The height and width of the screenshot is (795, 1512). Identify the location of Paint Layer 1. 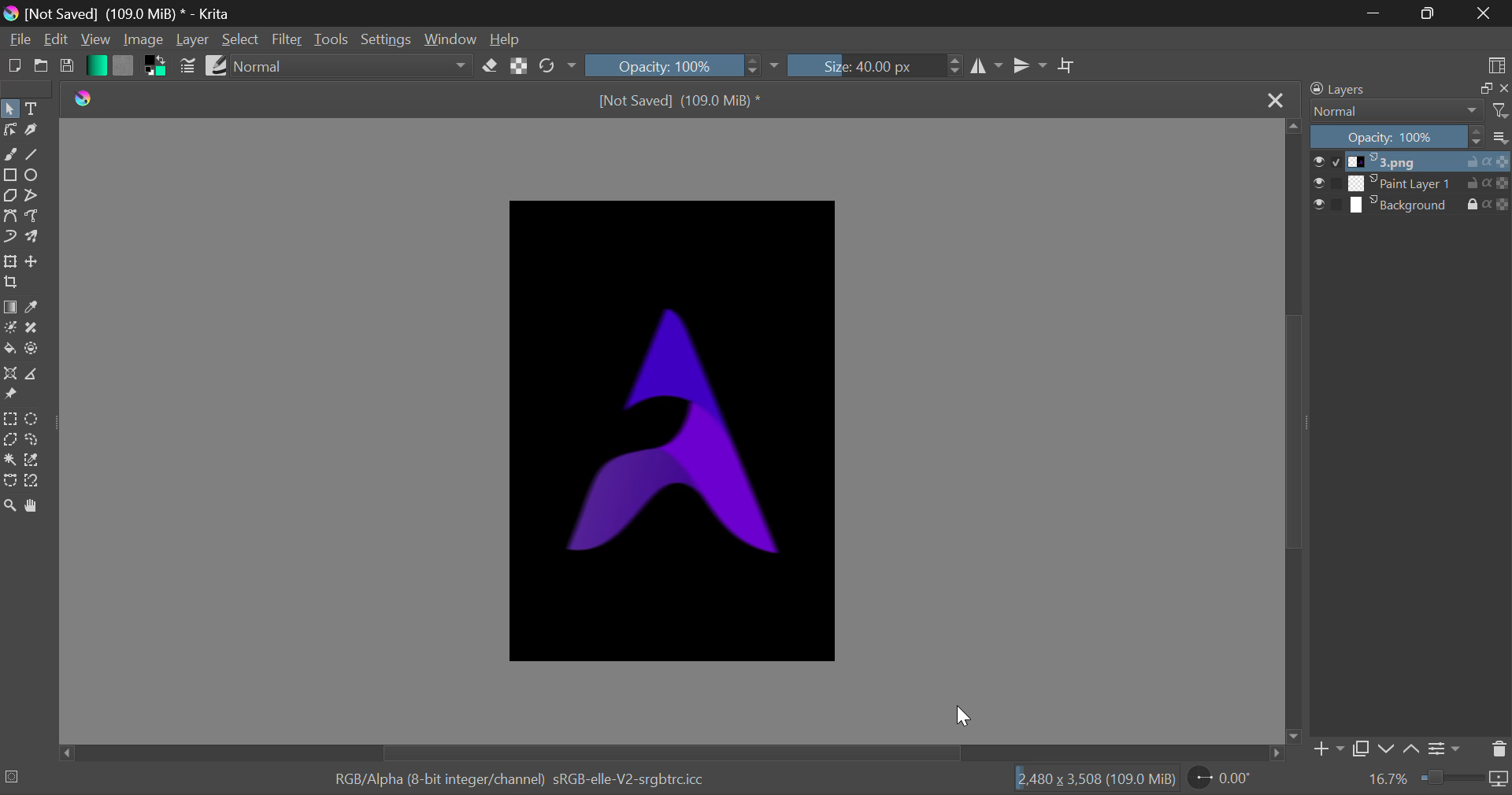
(1413, 183).